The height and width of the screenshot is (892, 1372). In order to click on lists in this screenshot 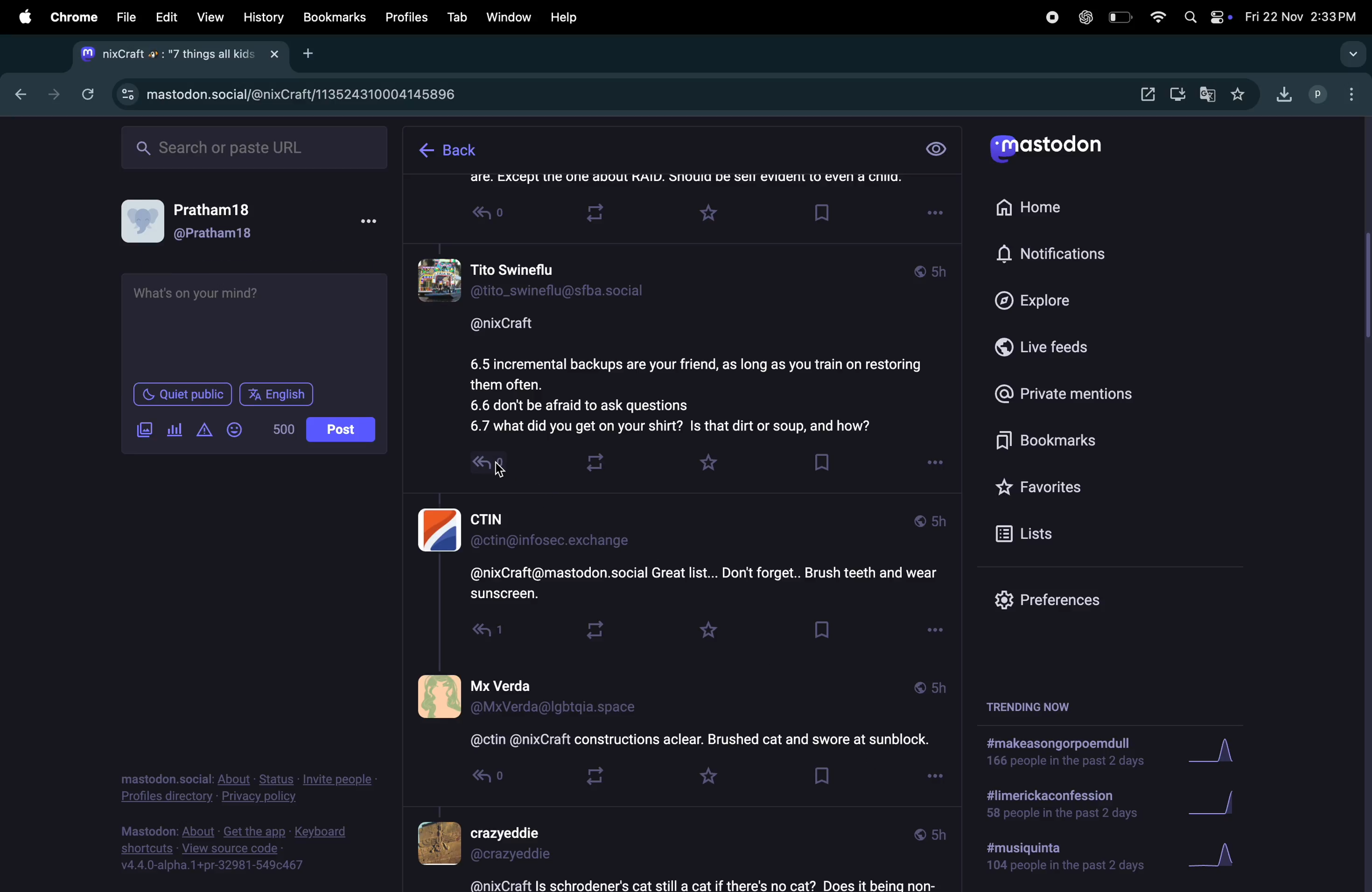, I will do `click(1073, 536)`.